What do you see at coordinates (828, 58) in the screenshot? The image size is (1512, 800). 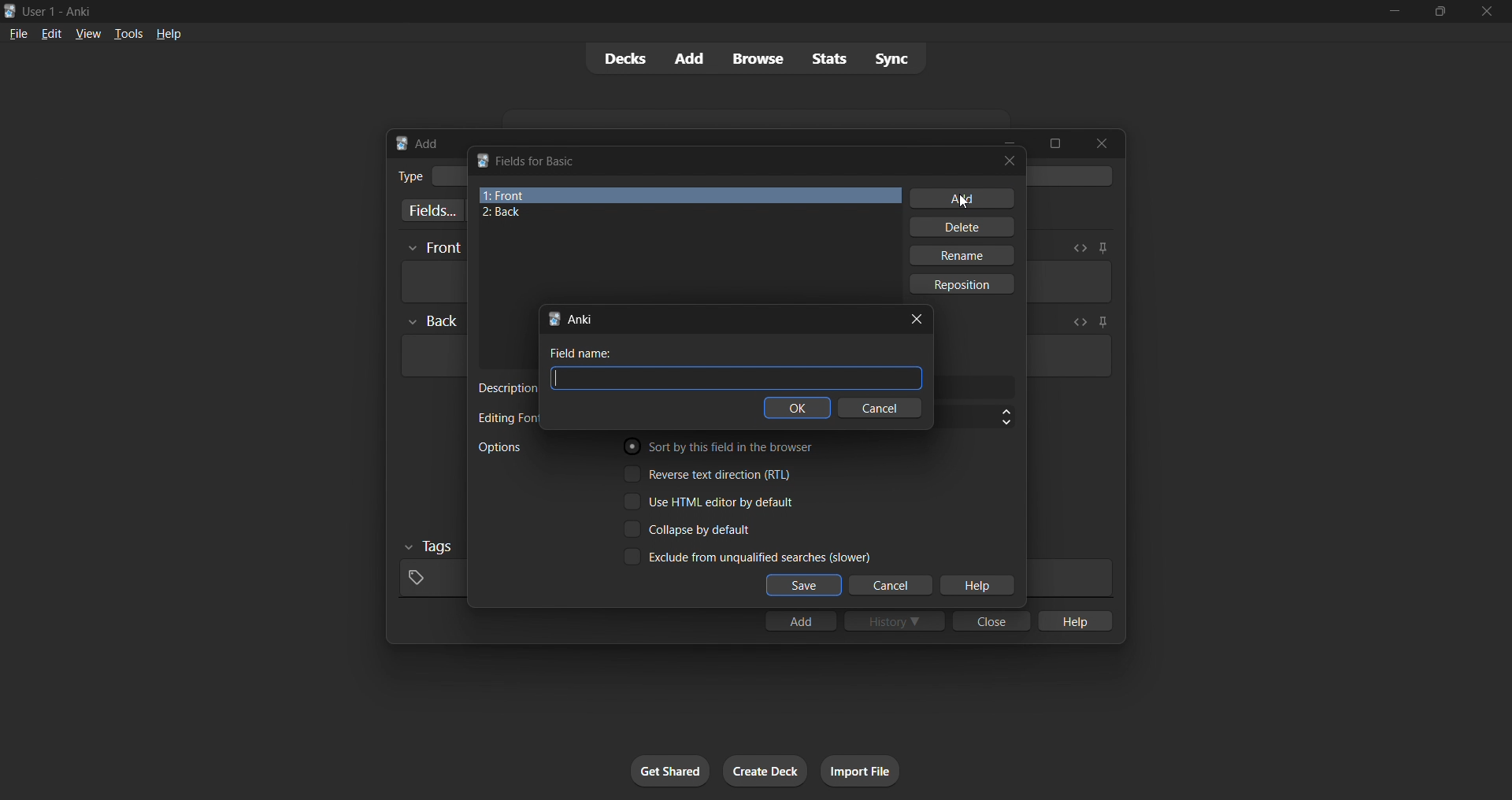 I see `stats` at bounding box center [828, 58].